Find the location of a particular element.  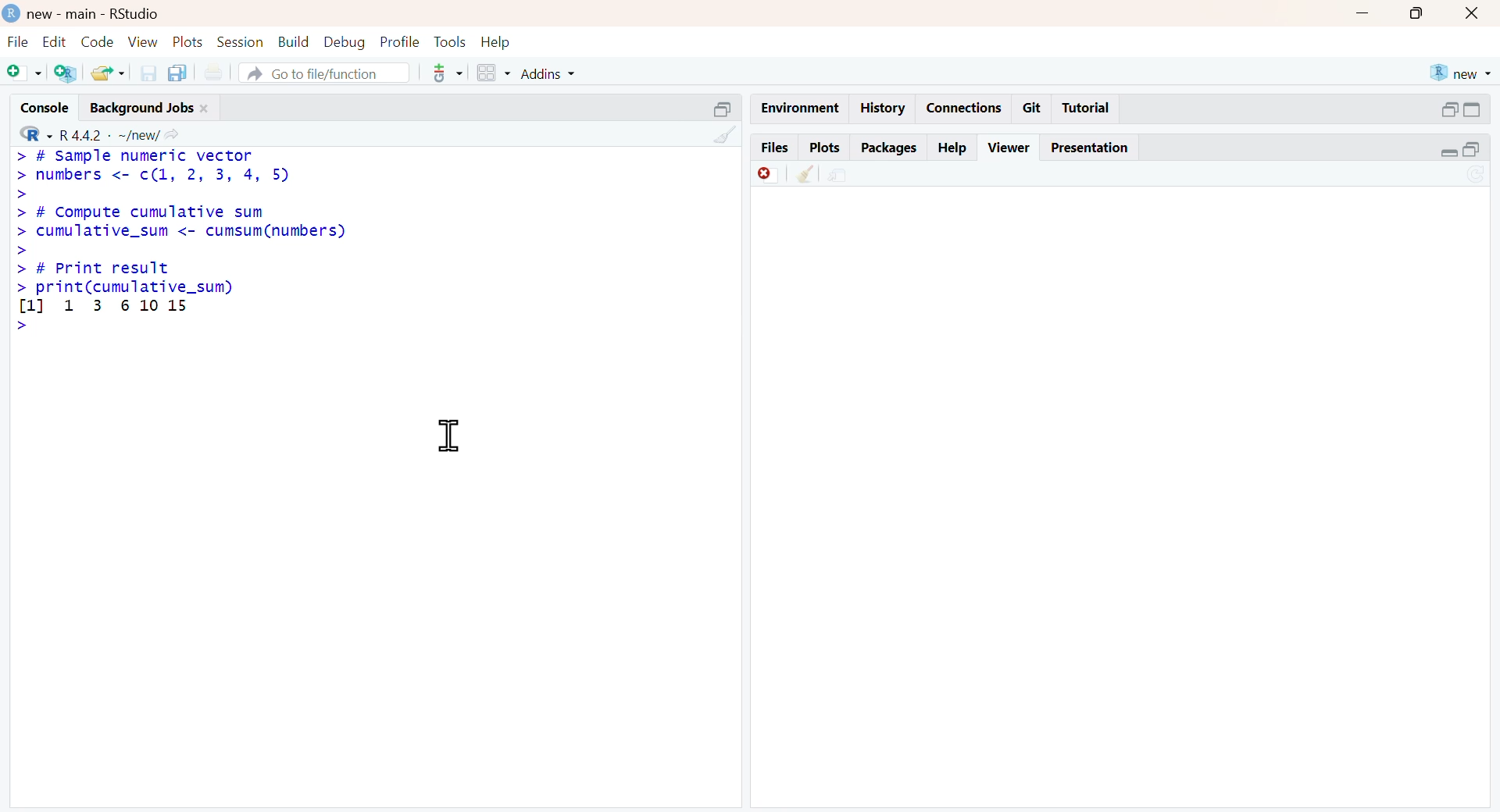

cursor is located at coordinates (448, 436).